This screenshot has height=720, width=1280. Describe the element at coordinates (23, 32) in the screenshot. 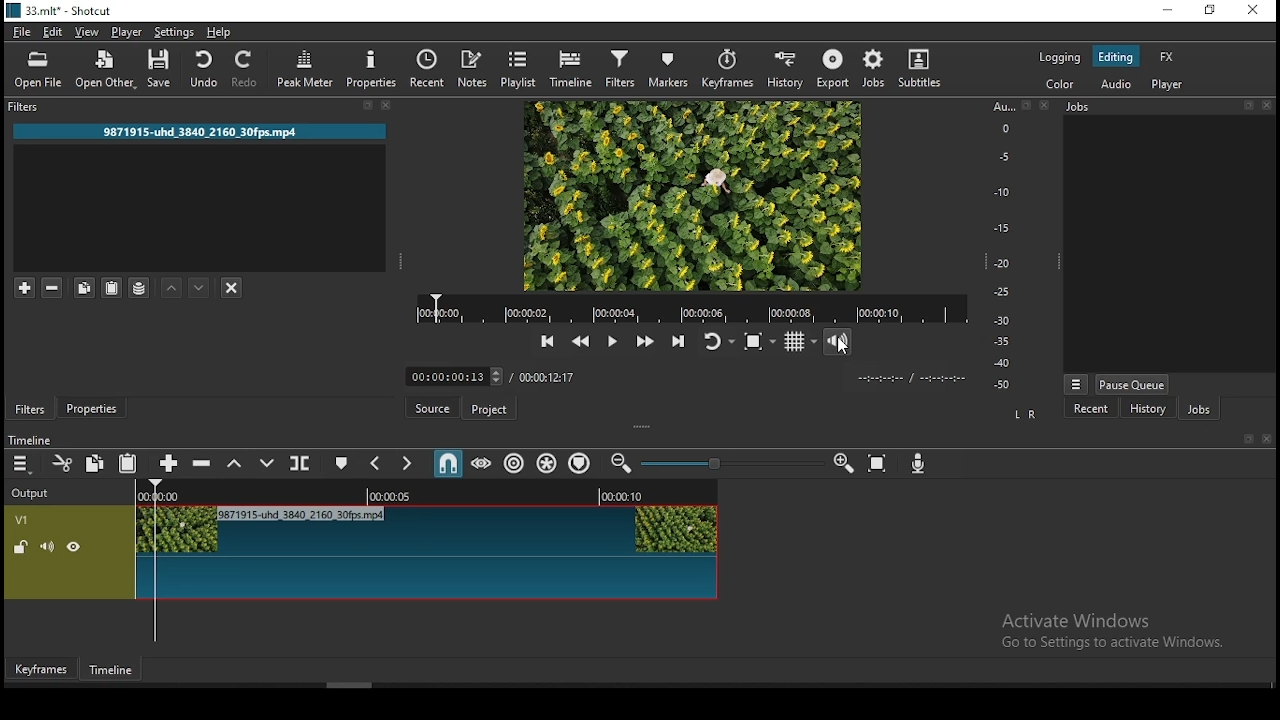

I see `file` at that location.